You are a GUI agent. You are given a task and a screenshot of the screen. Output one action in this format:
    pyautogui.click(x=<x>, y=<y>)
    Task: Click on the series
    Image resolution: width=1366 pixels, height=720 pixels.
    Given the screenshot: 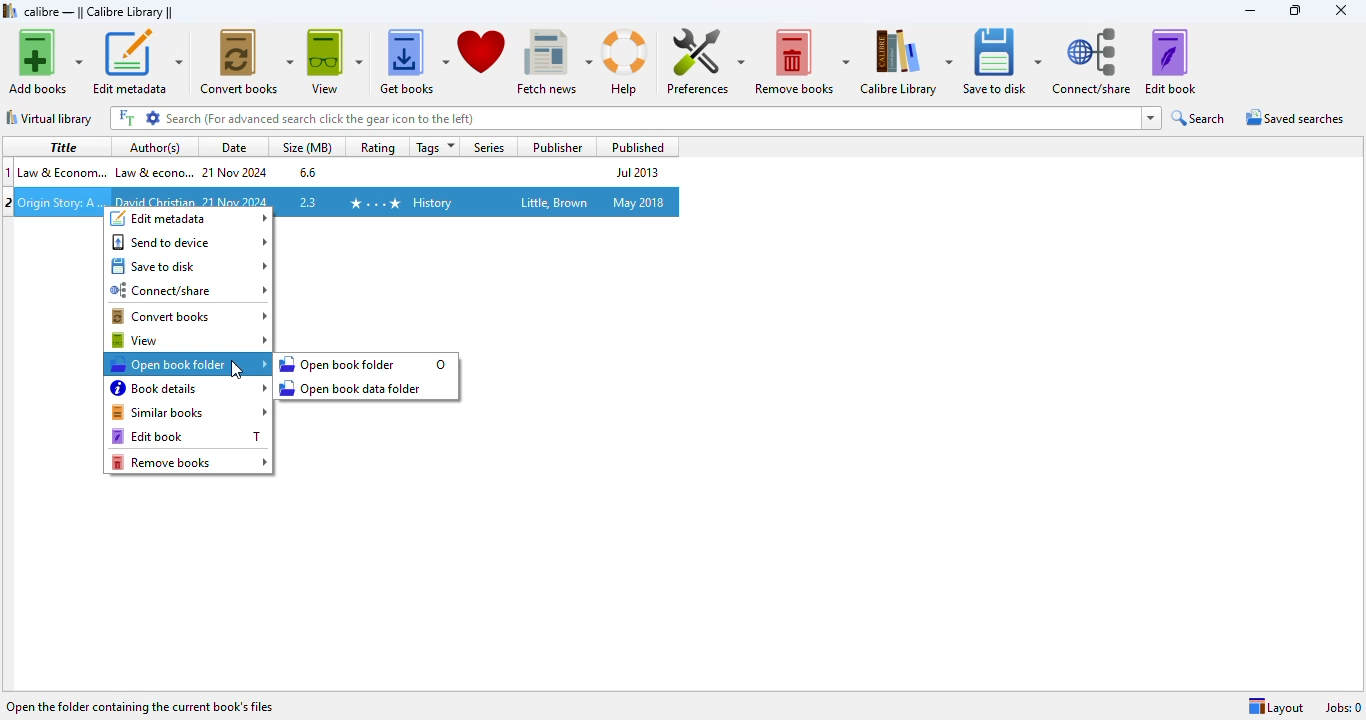 What is the action you would take?
    pyautogui.click(x=490, y=146)
    